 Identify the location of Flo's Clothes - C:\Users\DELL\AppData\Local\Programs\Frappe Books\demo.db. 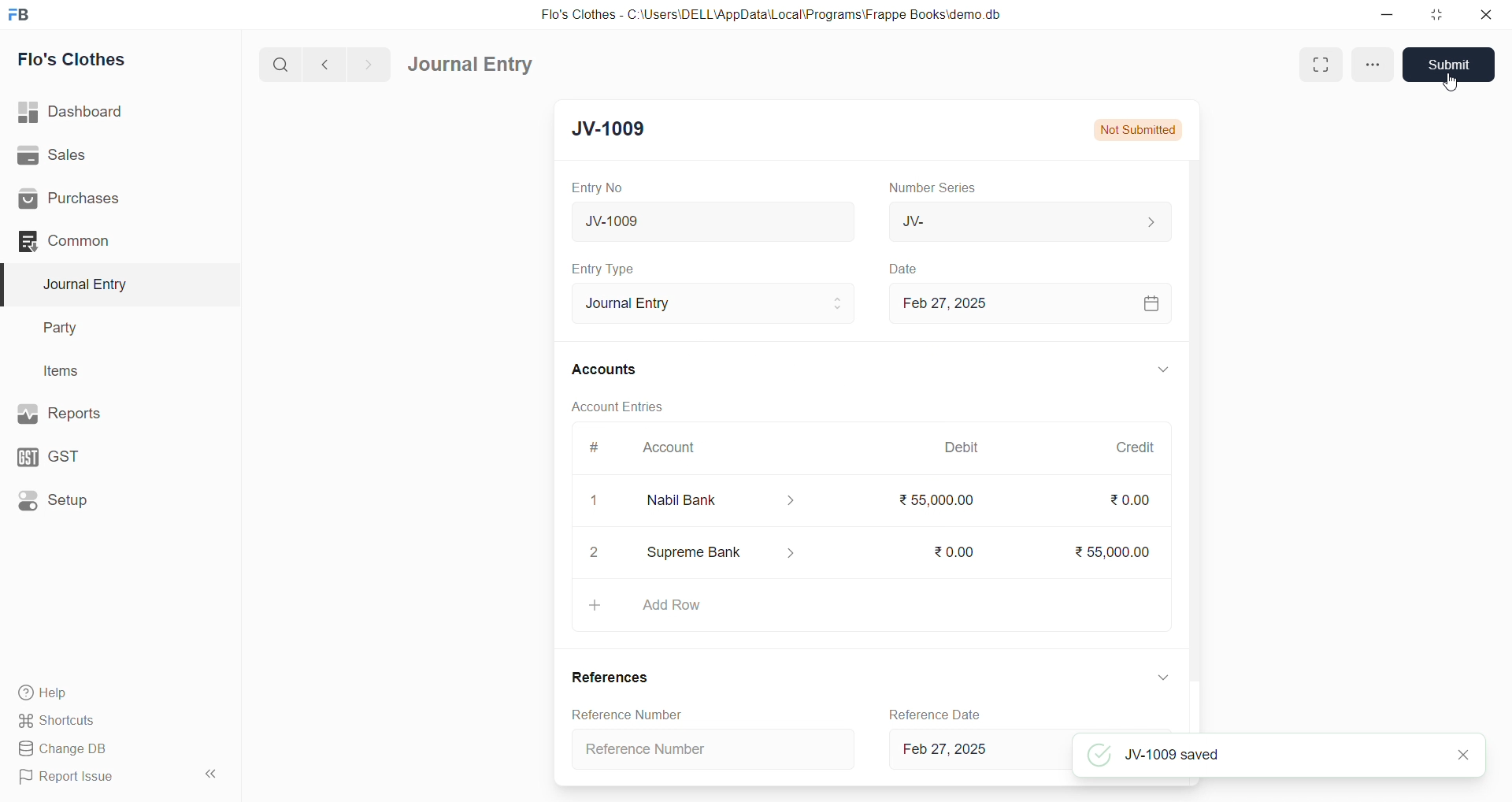
(771, 13).